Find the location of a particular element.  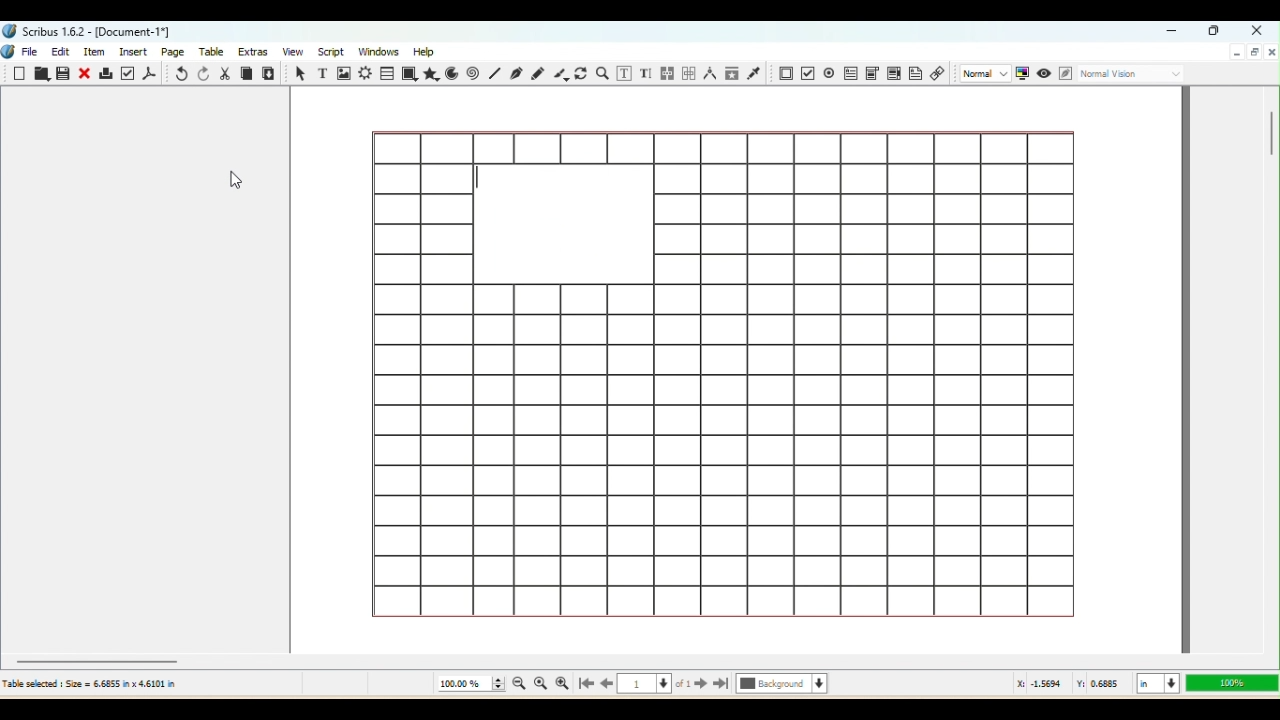

Close is located at coordinates (1254, 29).